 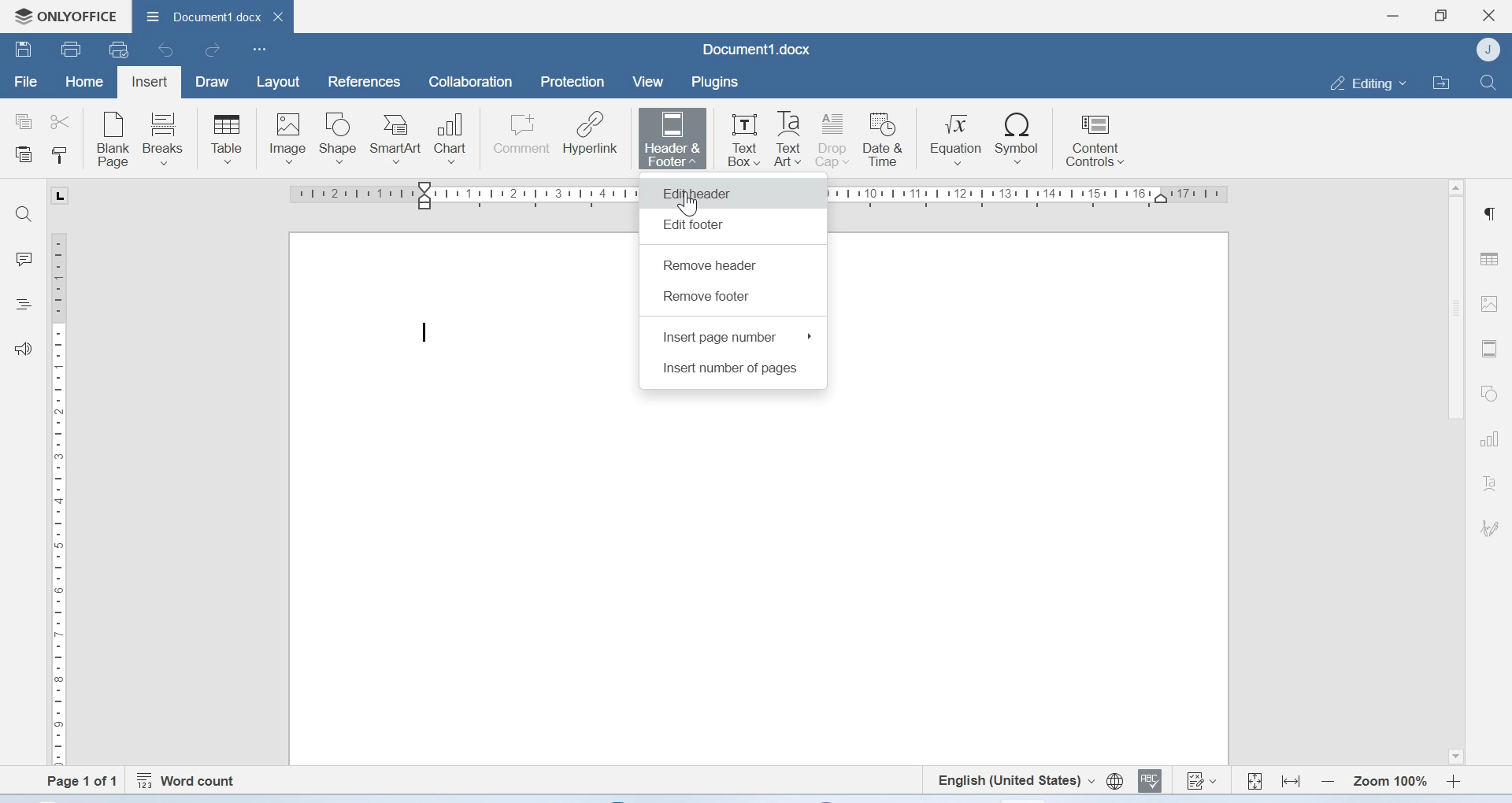 I want to click on Scale, so click(x=65, y=496).